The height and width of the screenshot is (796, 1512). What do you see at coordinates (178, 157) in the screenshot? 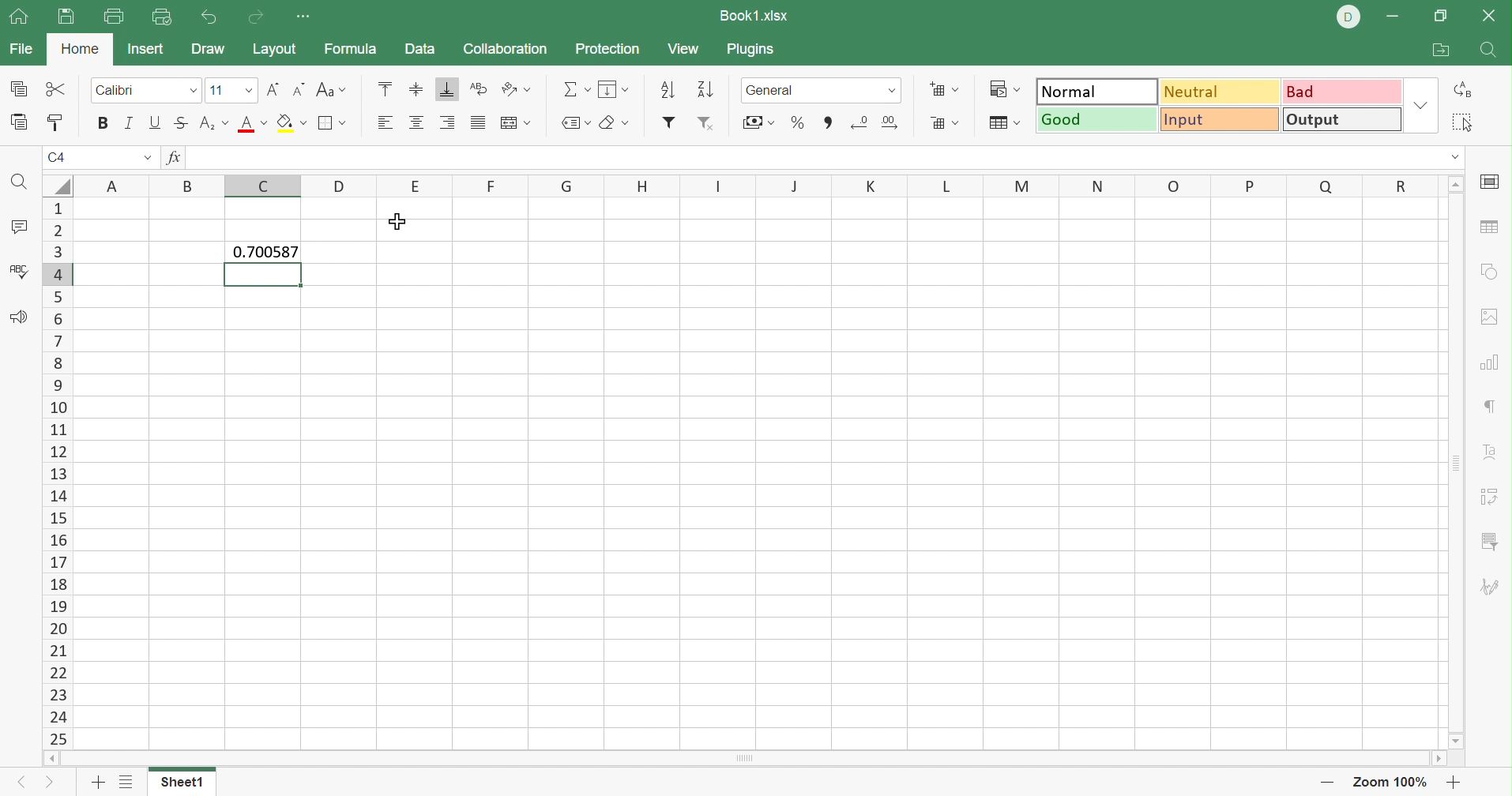
I see `fx` at bounding box center [178, 157].